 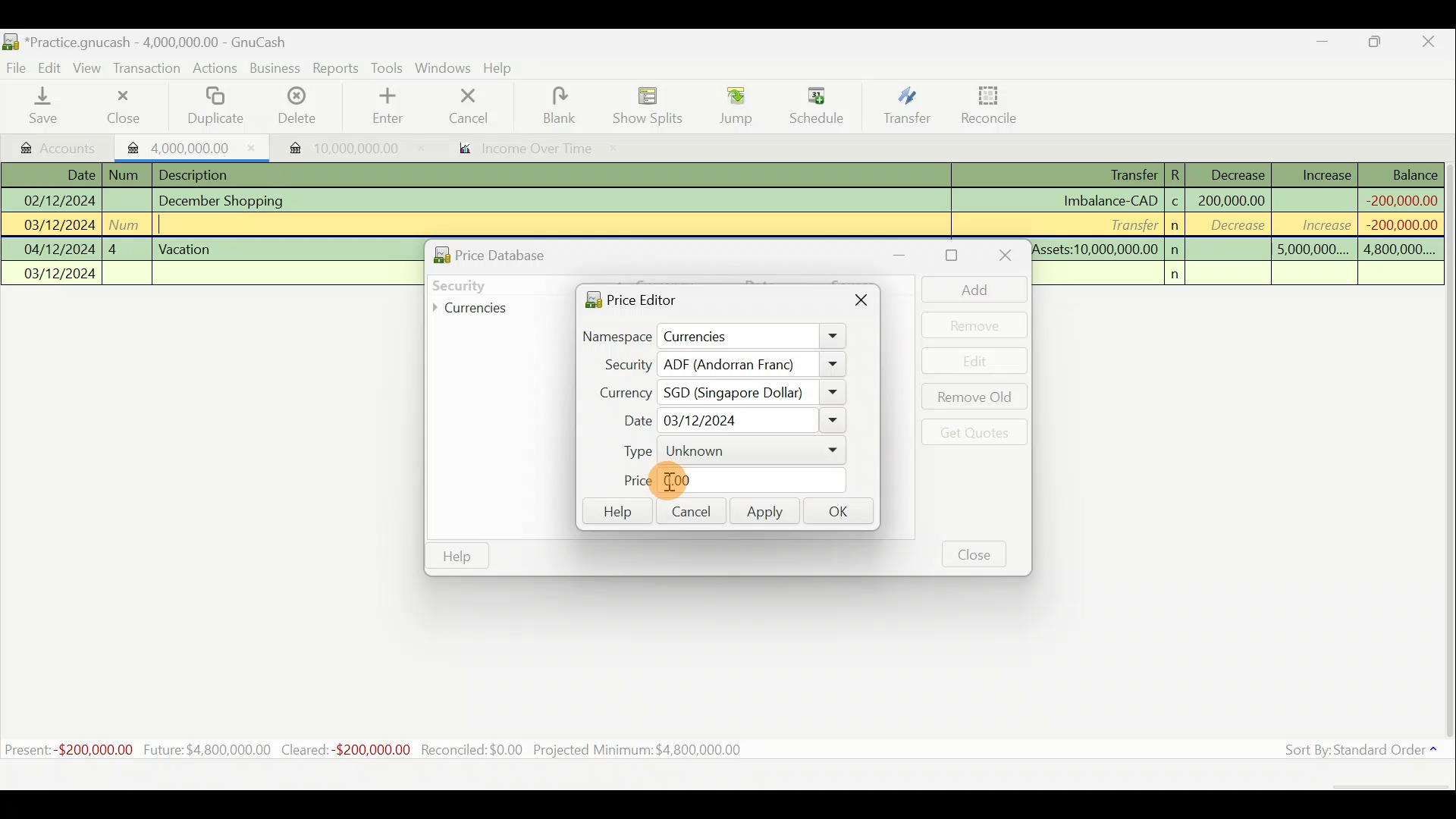 I want to click on R, so click(x=1180, y=174).